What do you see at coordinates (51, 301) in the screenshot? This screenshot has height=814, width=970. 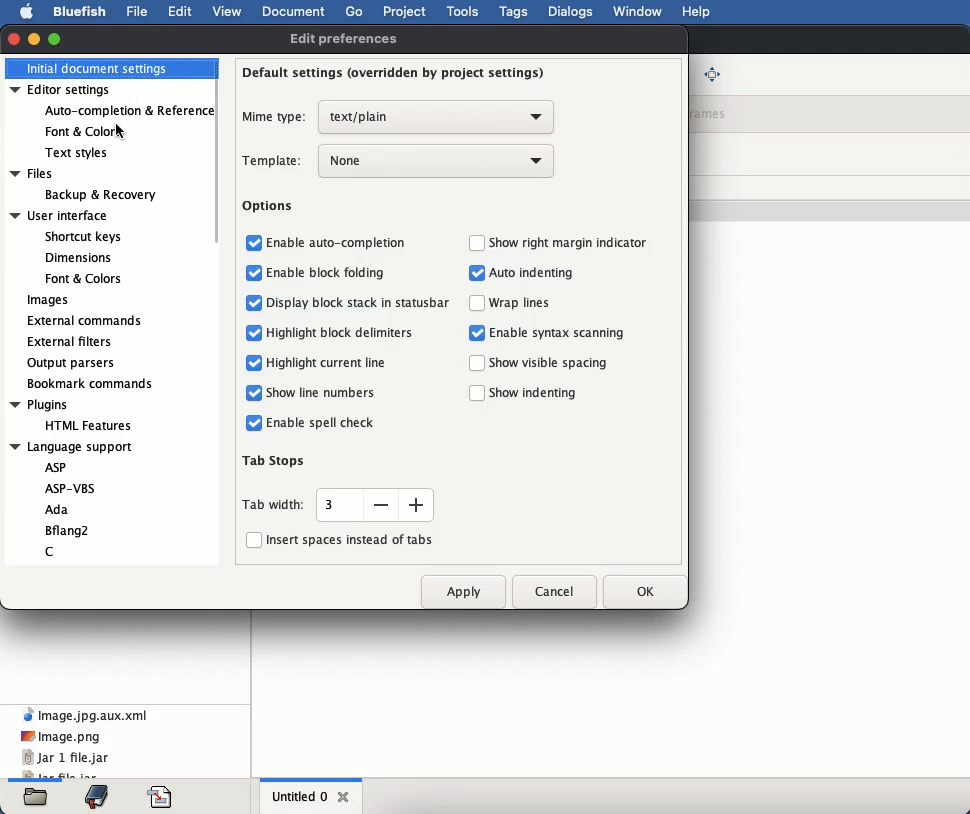 I see `images` at bounding box center [51, 301].